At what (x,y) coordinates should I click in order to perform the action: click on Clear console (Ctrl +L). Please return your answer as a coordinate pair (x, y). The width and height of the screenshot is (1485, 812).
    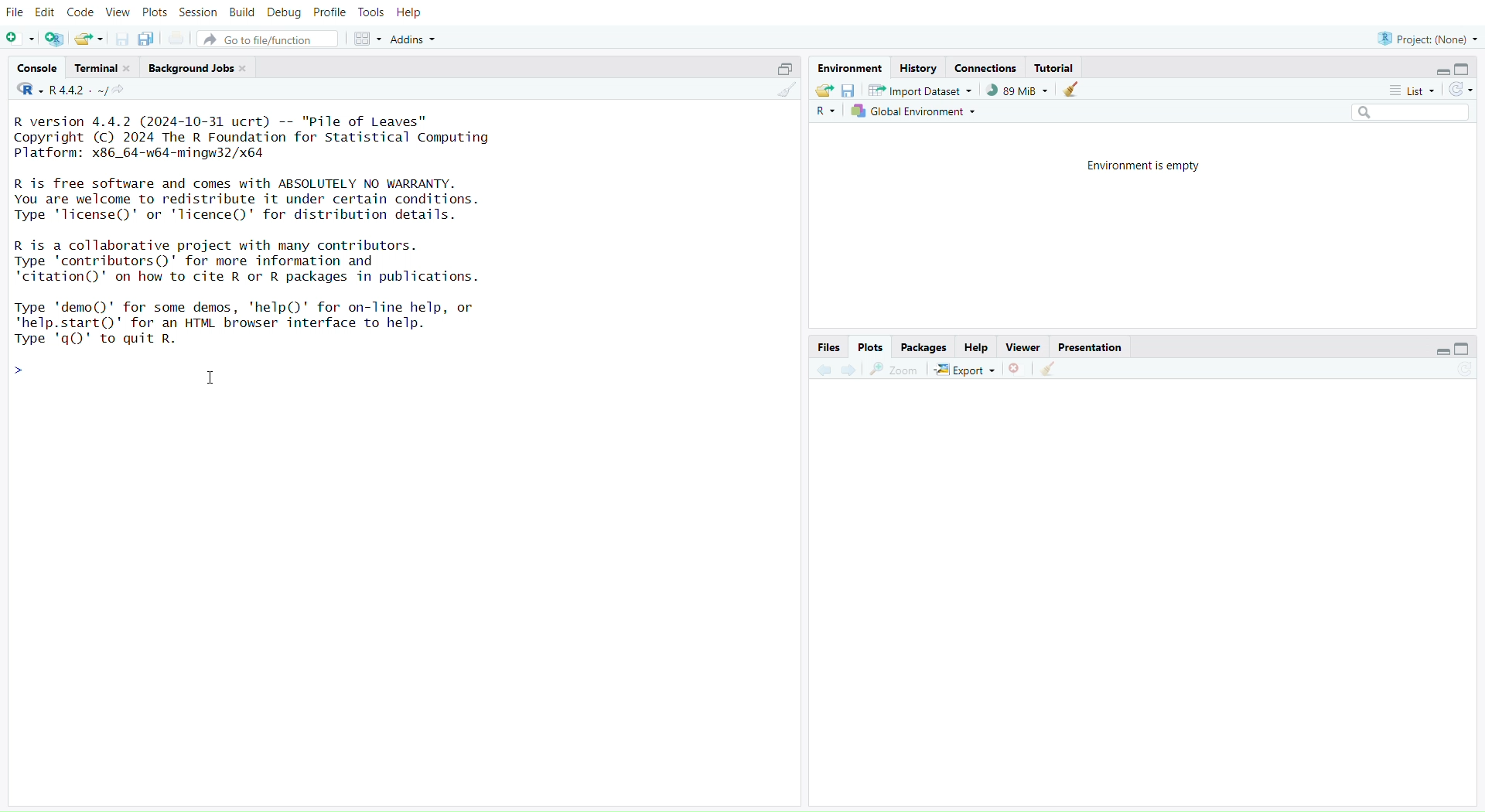
    Looking at the image, I should click on (783, 92).